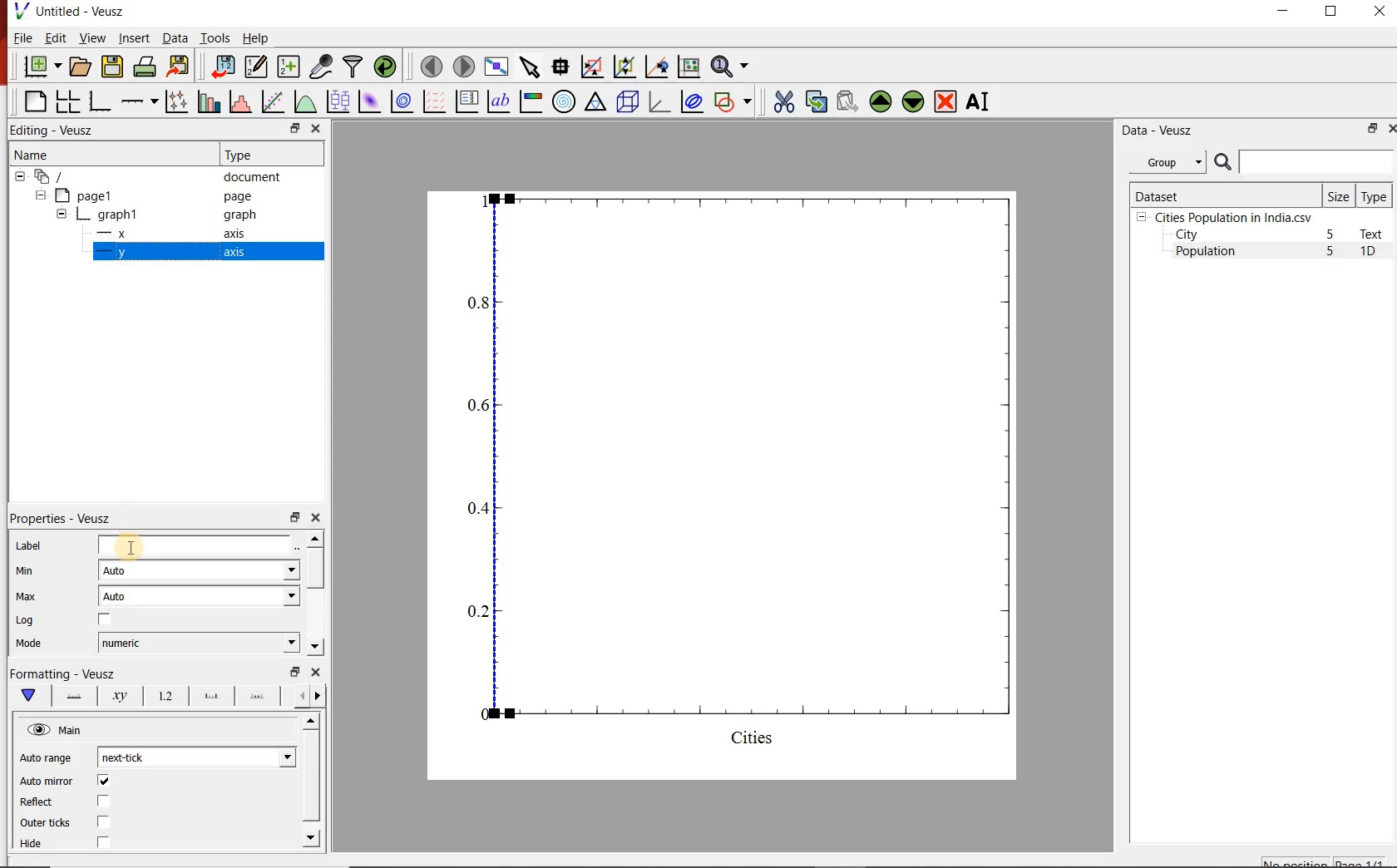  I want to click on Size, so click(1339, 195).